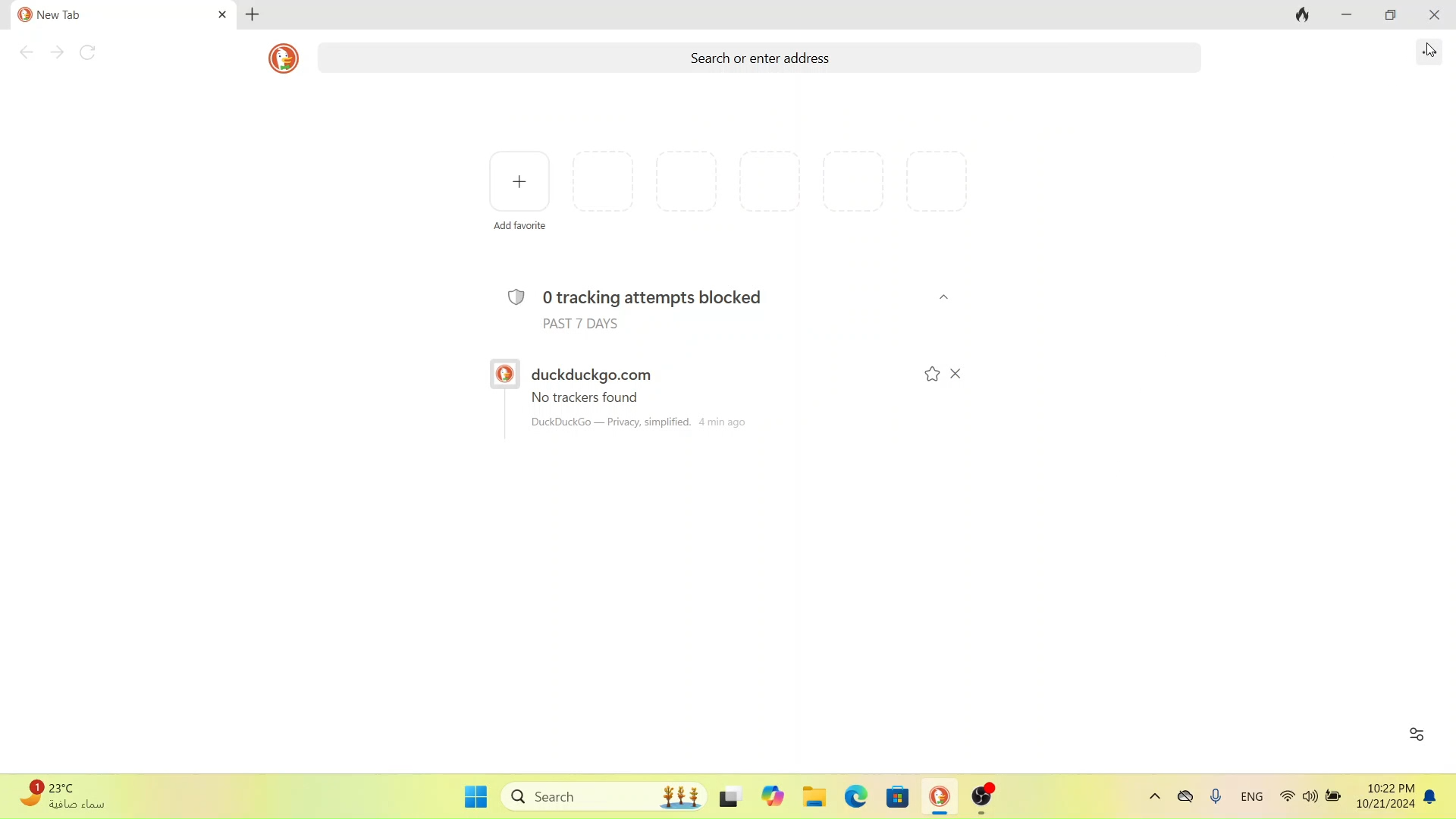 Image resolution: width=1456 pixels, height=819 pixels. What do you see at coordinates (1348, 14) in the screenshot?
I see `minimize` at bounding box center [1348, 14].